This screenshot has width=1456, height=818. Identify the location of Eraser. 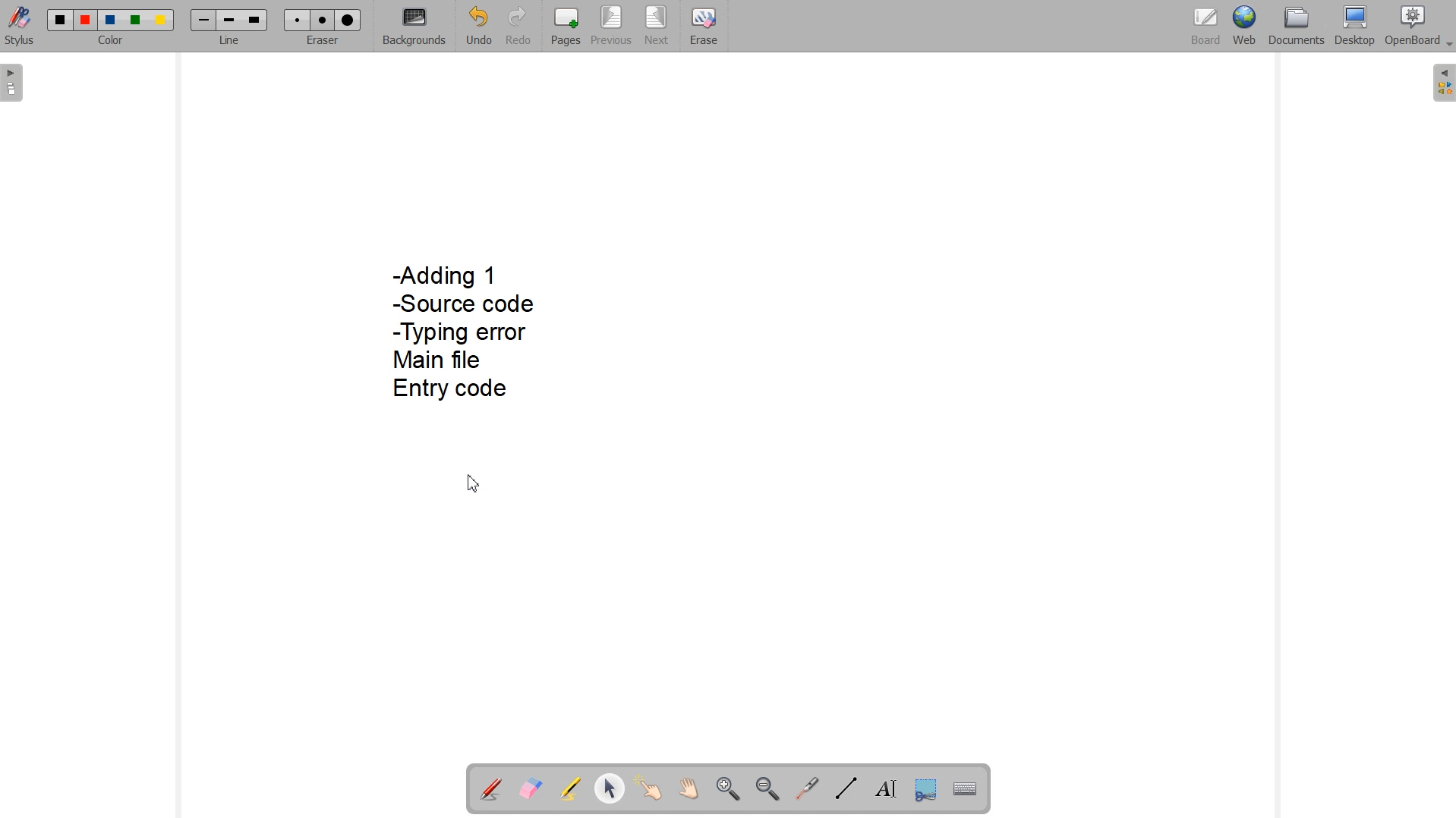
(321, 41).